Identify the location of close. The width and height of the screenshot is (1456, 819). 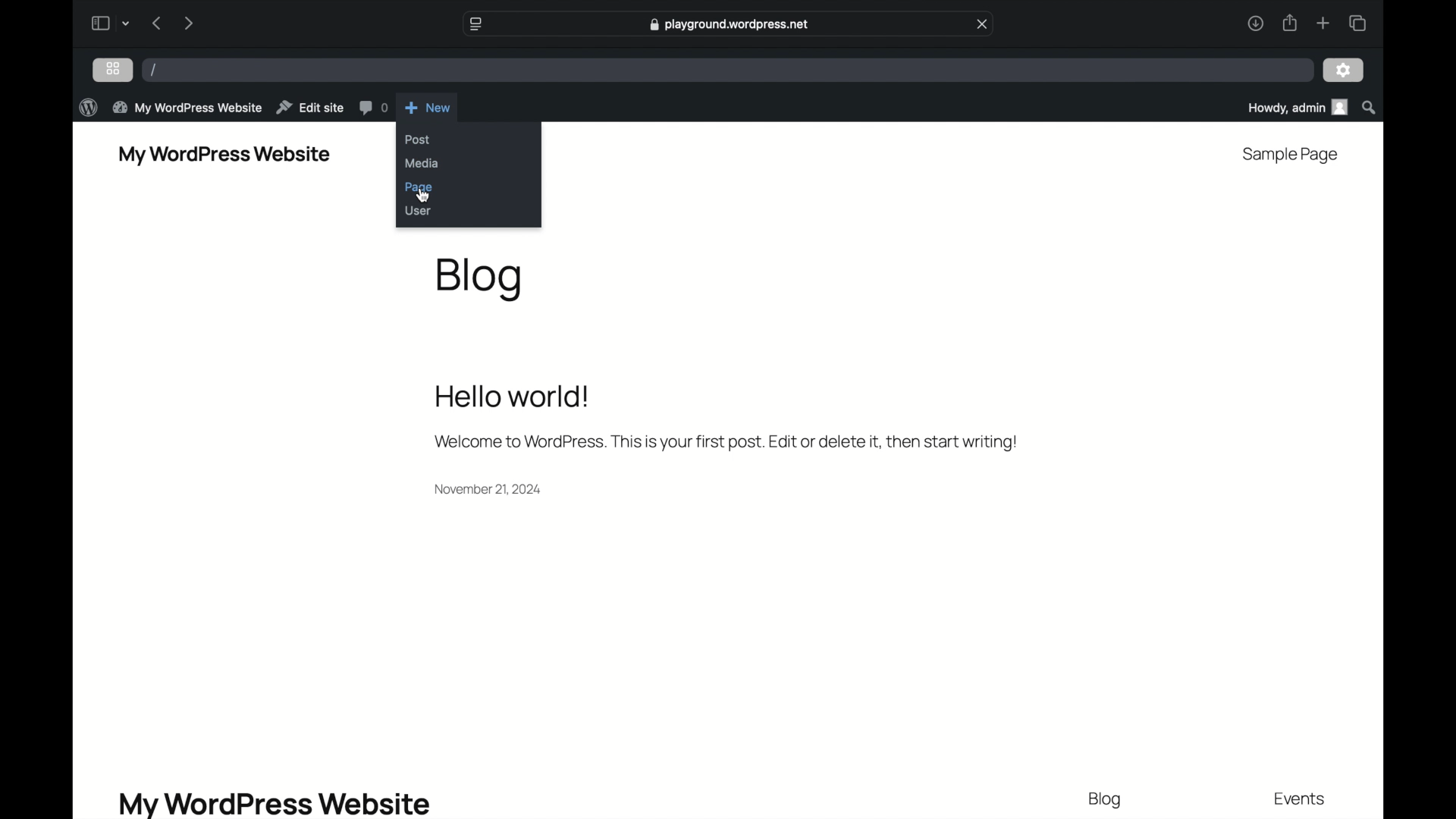
(982, 24).